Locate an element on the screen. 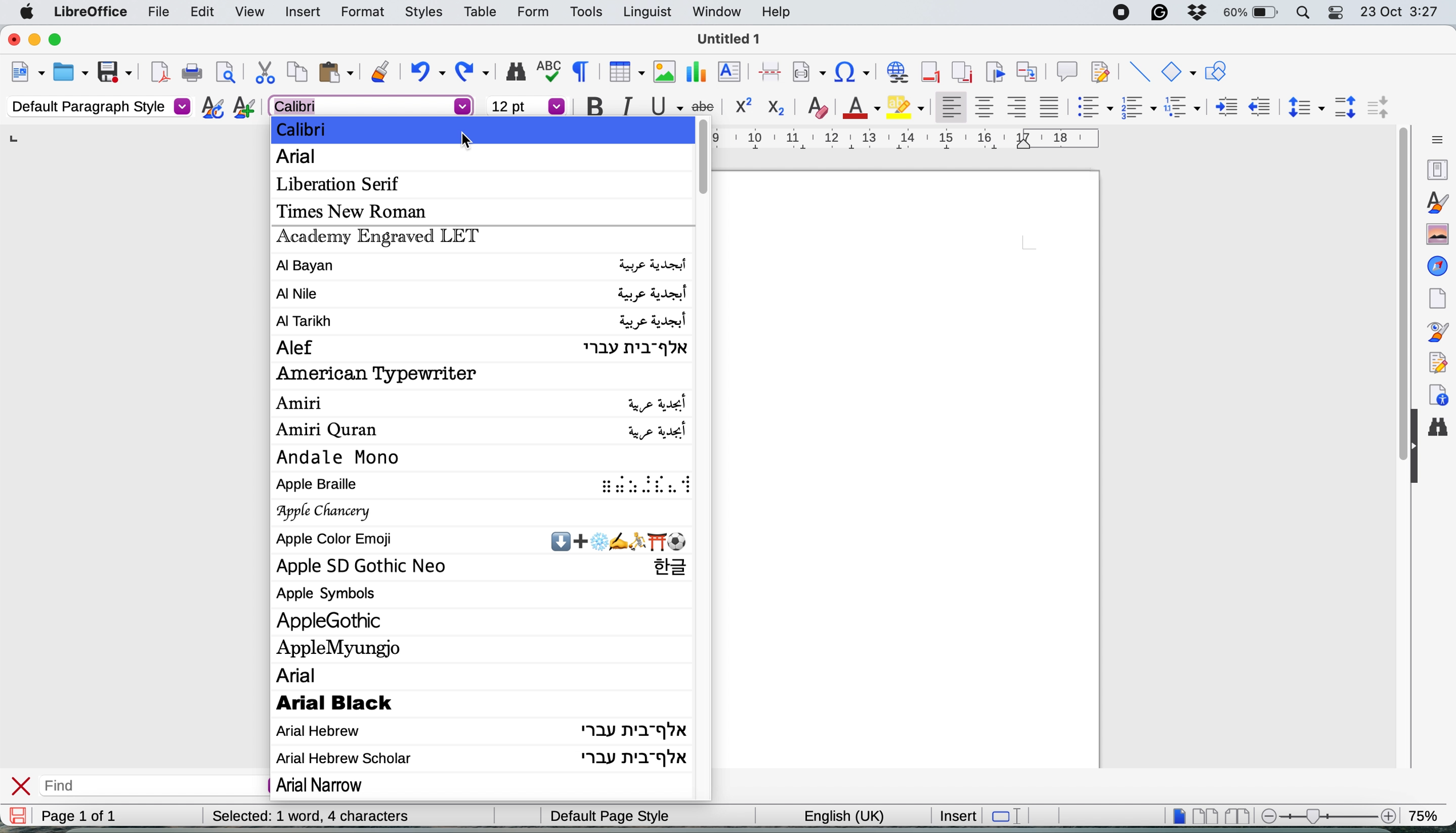 This screenshot has width=1456, height=833. updated selected style is located at coordinates (209, 108).